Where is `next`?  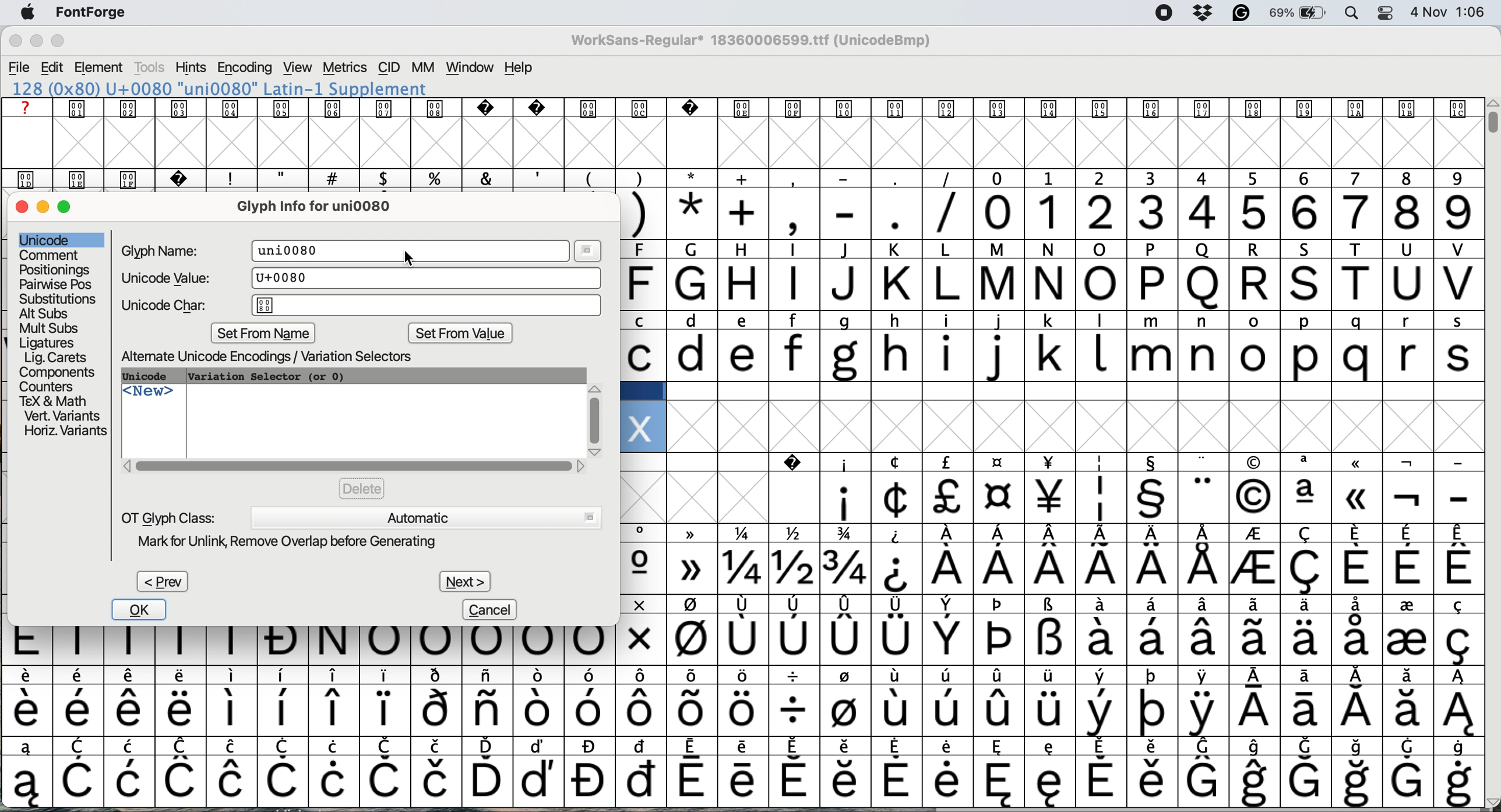
next is located at coordinates (464, 578).